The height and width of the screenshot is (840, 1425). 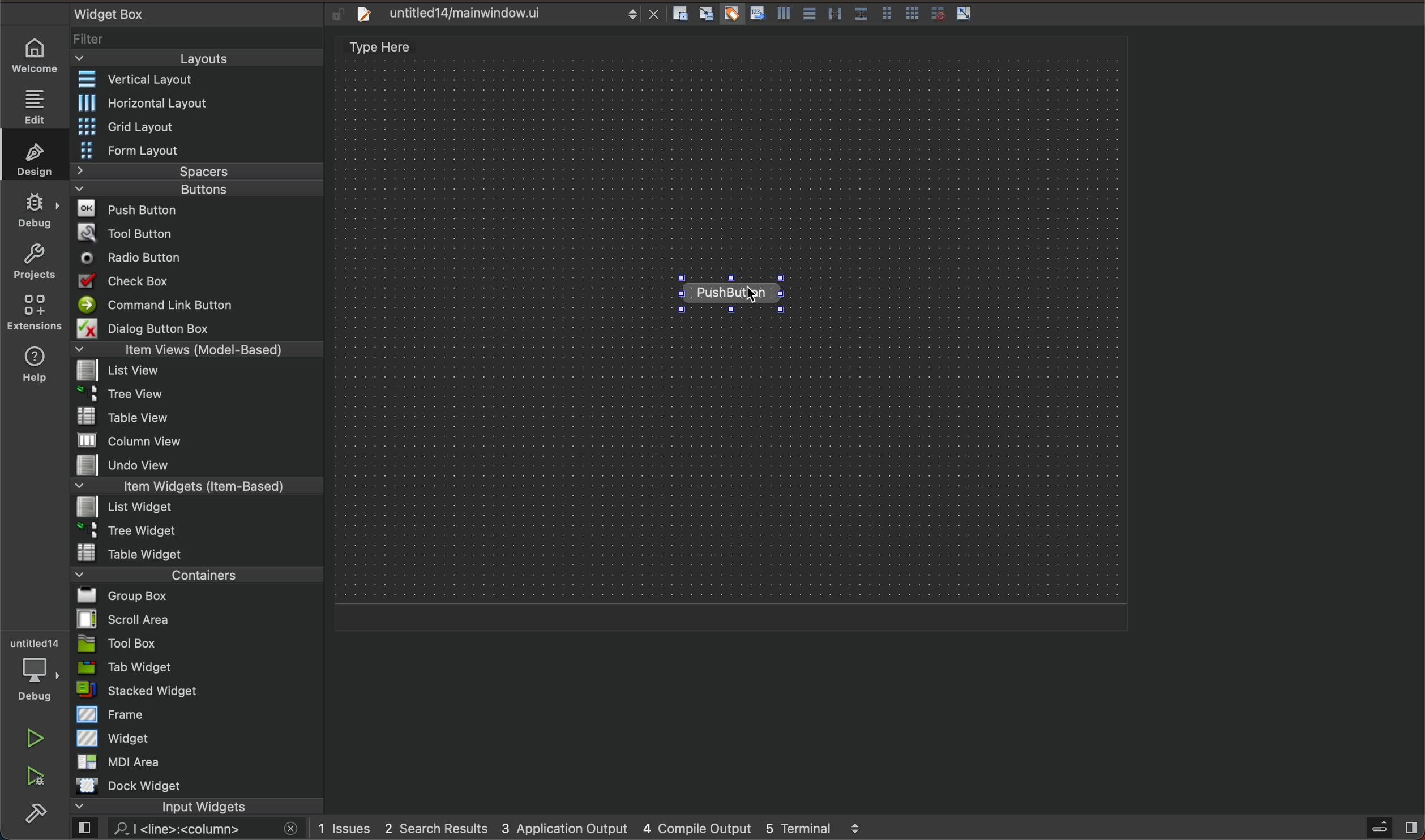 I want to click on item views, so click(x=198, y=352).